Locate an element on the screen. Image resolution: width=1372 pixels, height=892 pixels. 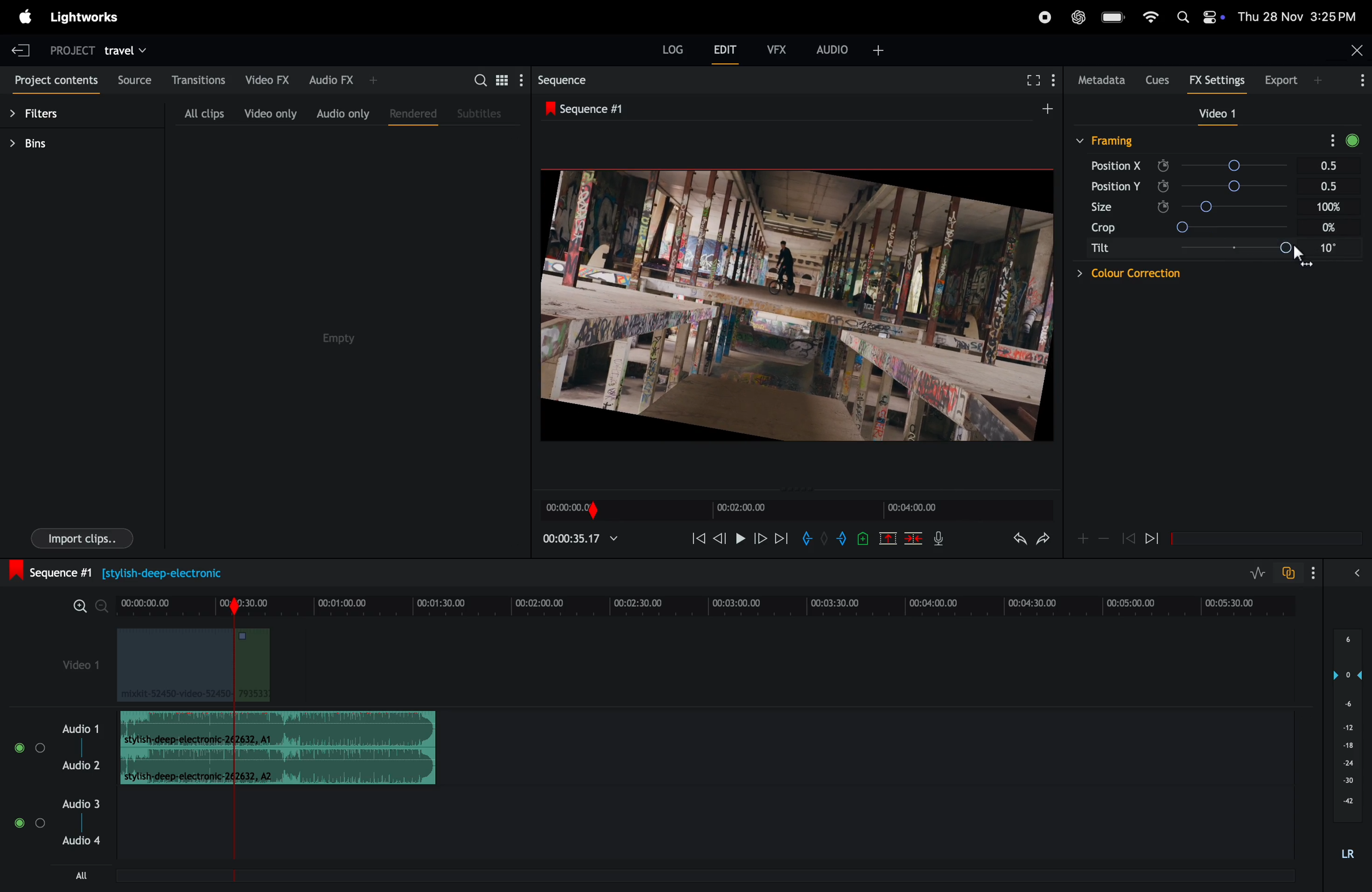
tilt is located at coordinates (1124, 250).